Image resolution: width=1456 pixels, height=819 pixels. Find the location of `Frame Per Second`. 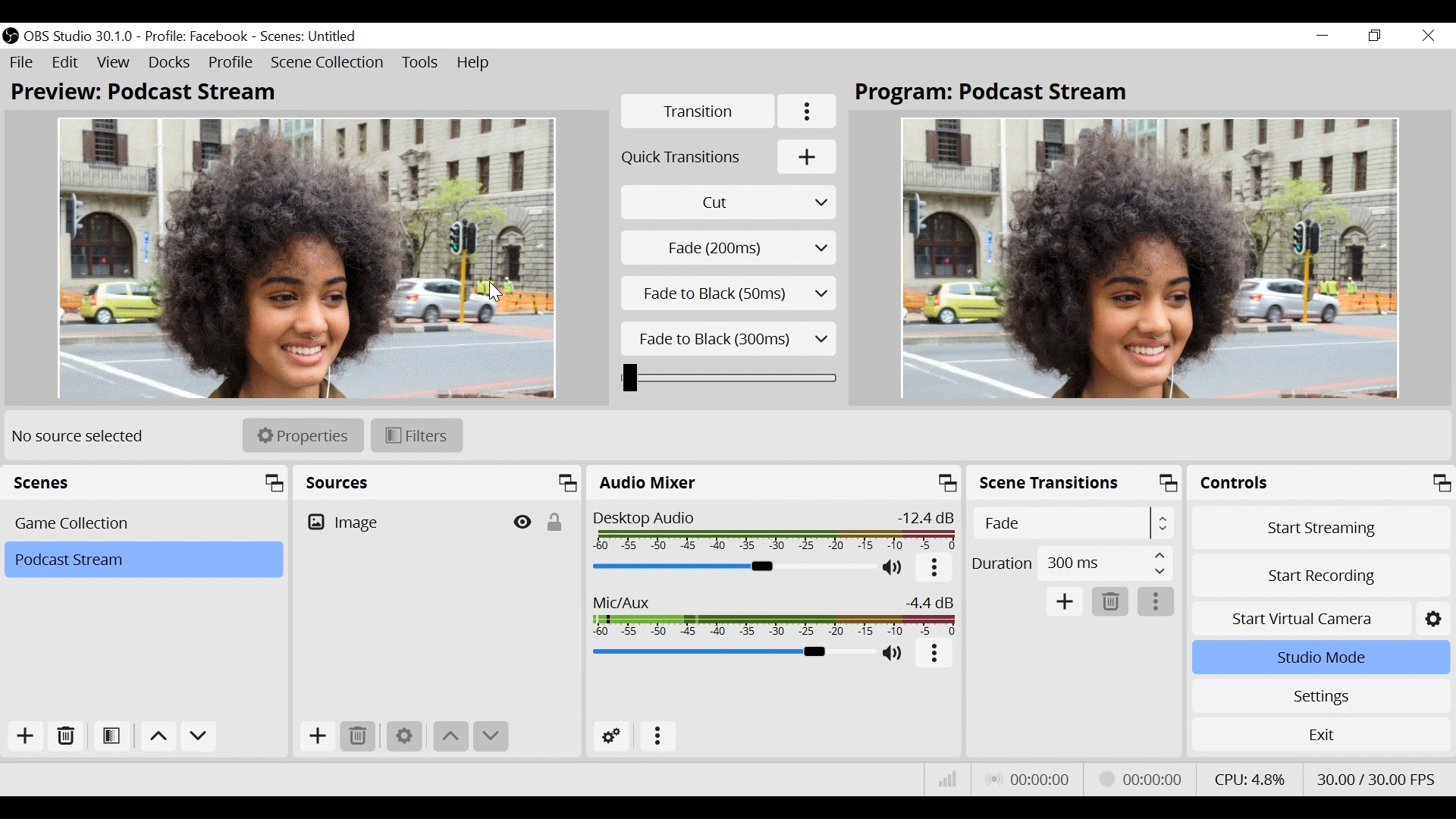

Frame Per Second is located at coordinates (1375, 777).